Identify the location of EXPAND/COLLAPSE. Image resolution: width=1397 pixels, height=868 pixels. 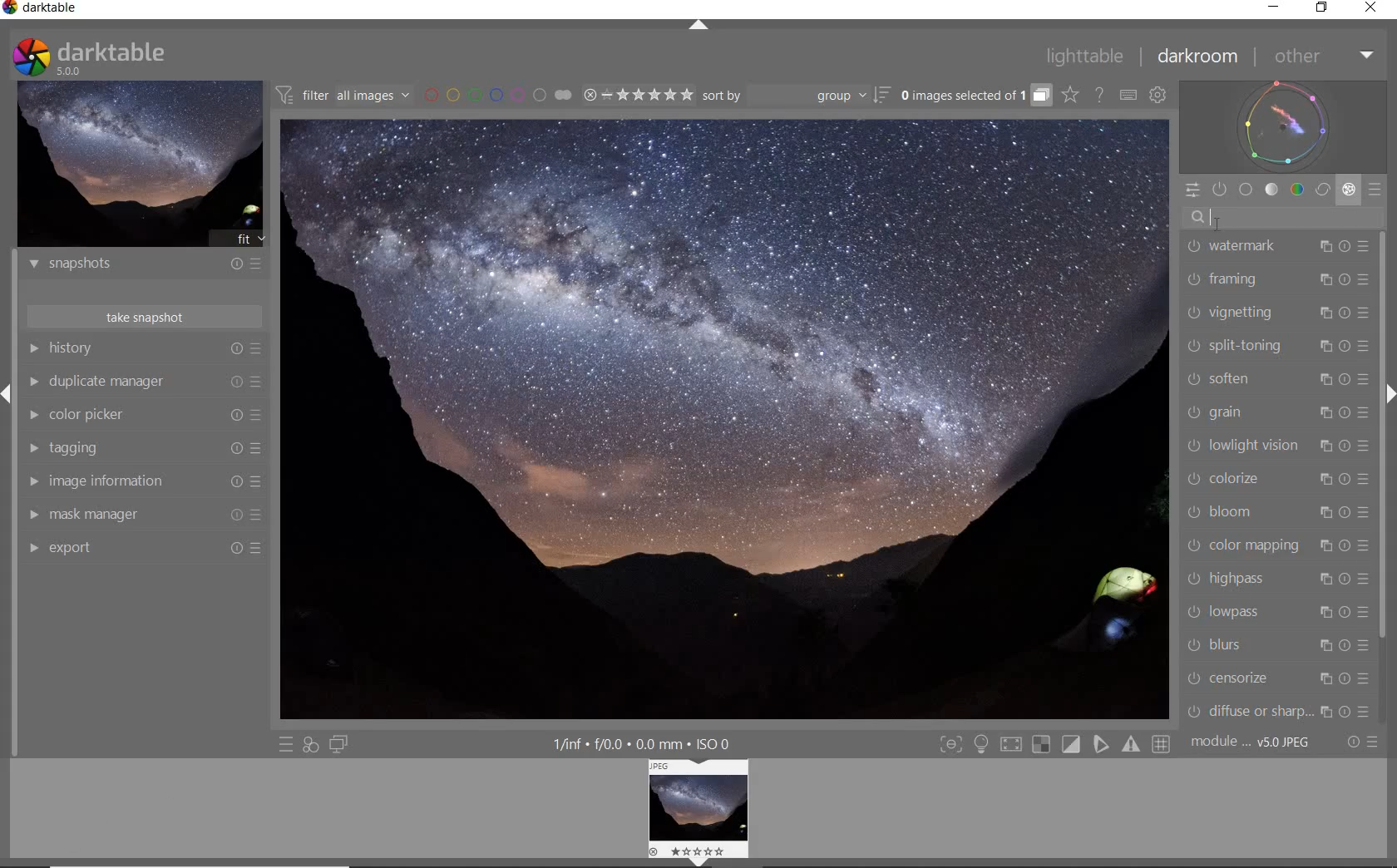
(698, 26).